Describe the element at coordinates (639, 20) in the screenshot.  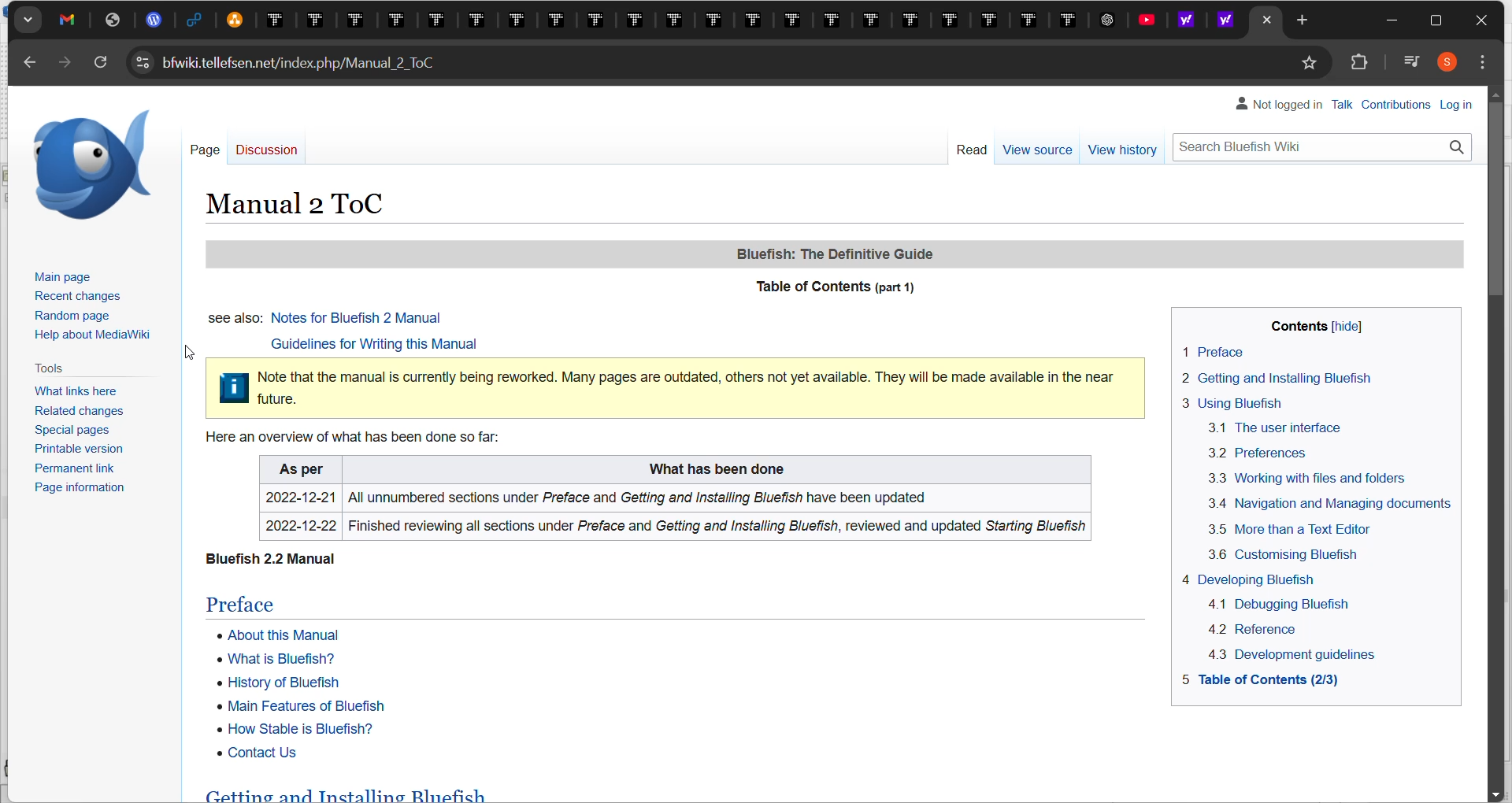
I see `existing tabs` at that location.